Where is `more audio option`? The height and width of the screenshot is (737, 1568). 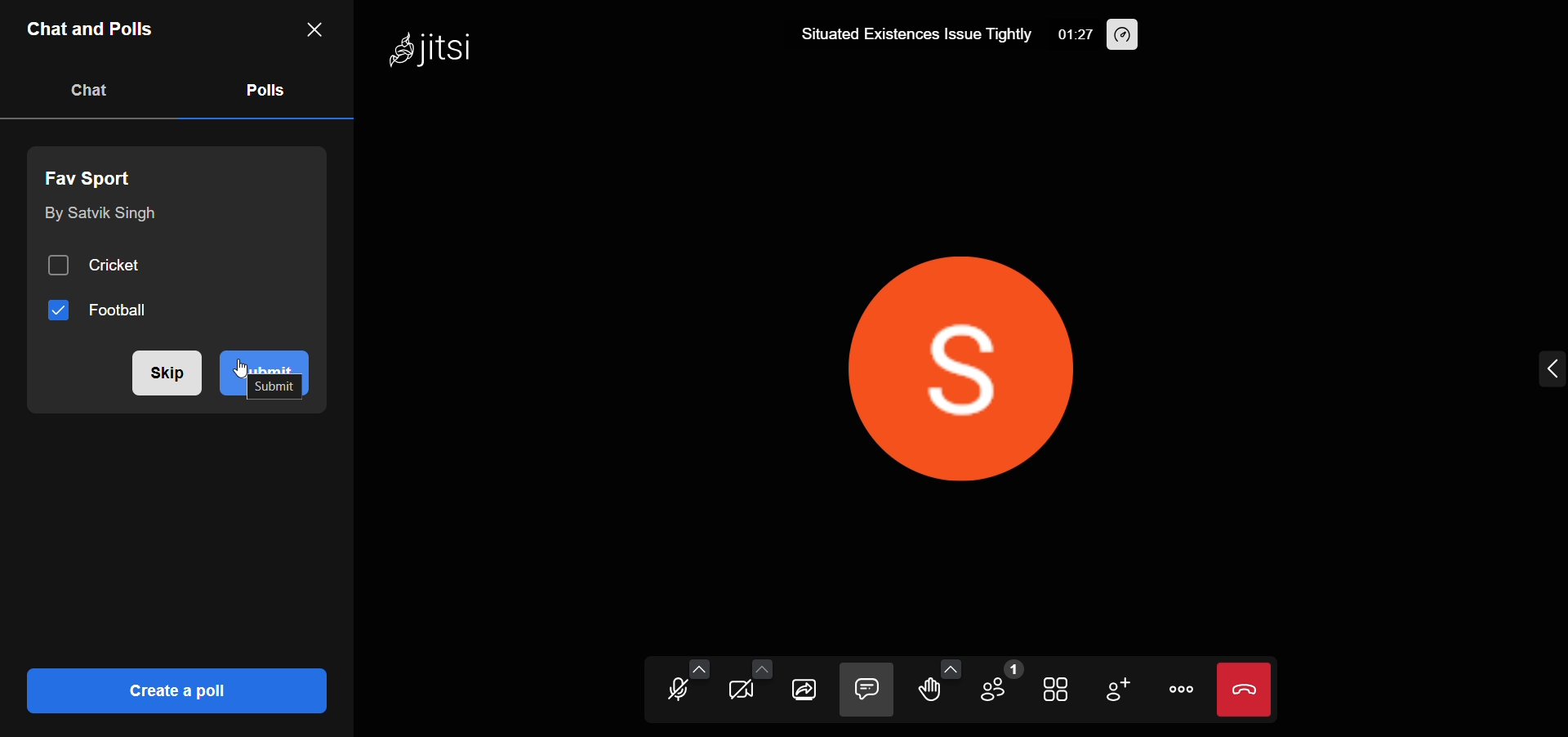
more audio option is located at coordinates (696, 667).